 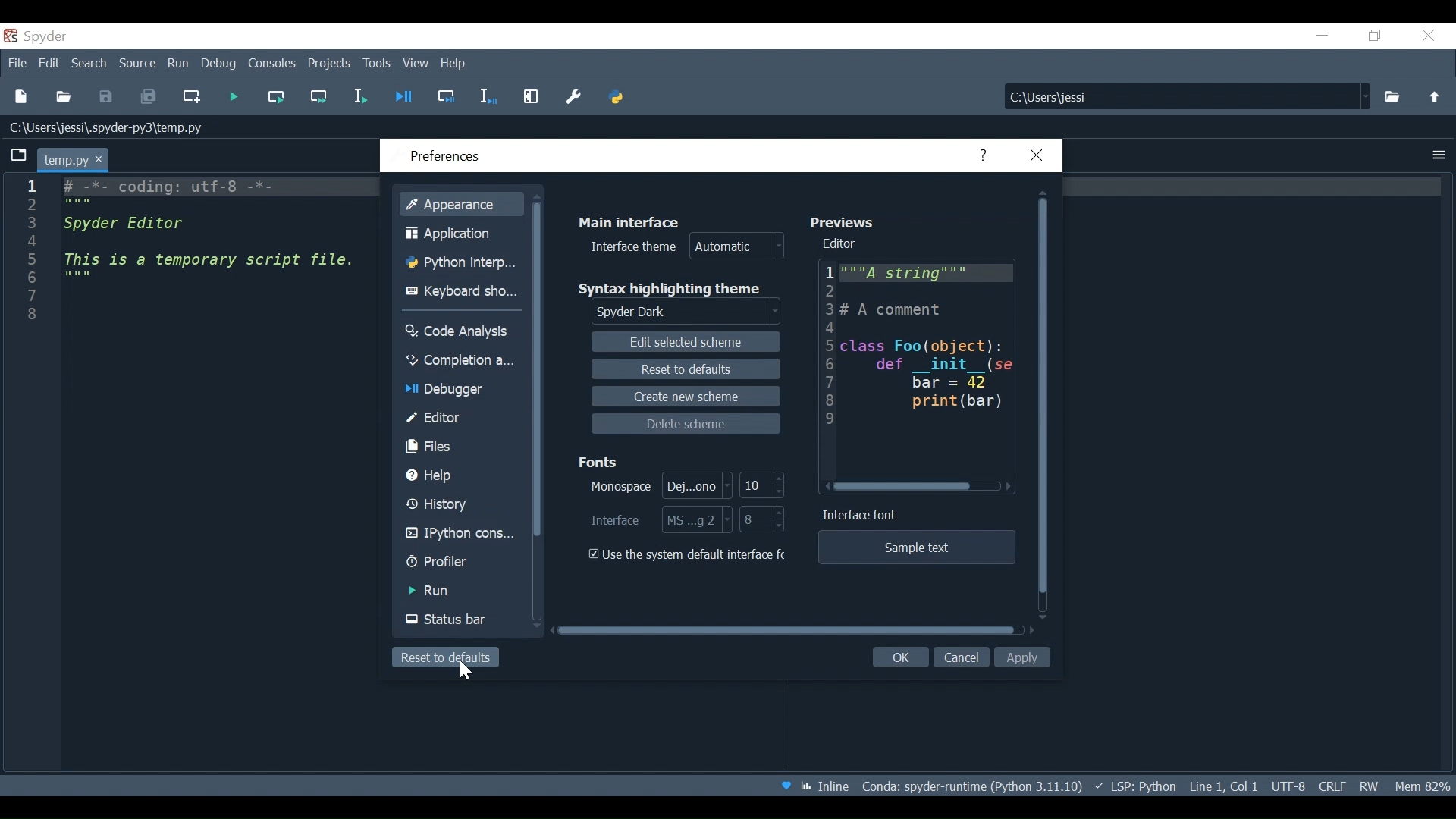 What do you see at coordinates (466, 673) in the screenshot?
I see `Cursor ` at bounding box center [466, 673].